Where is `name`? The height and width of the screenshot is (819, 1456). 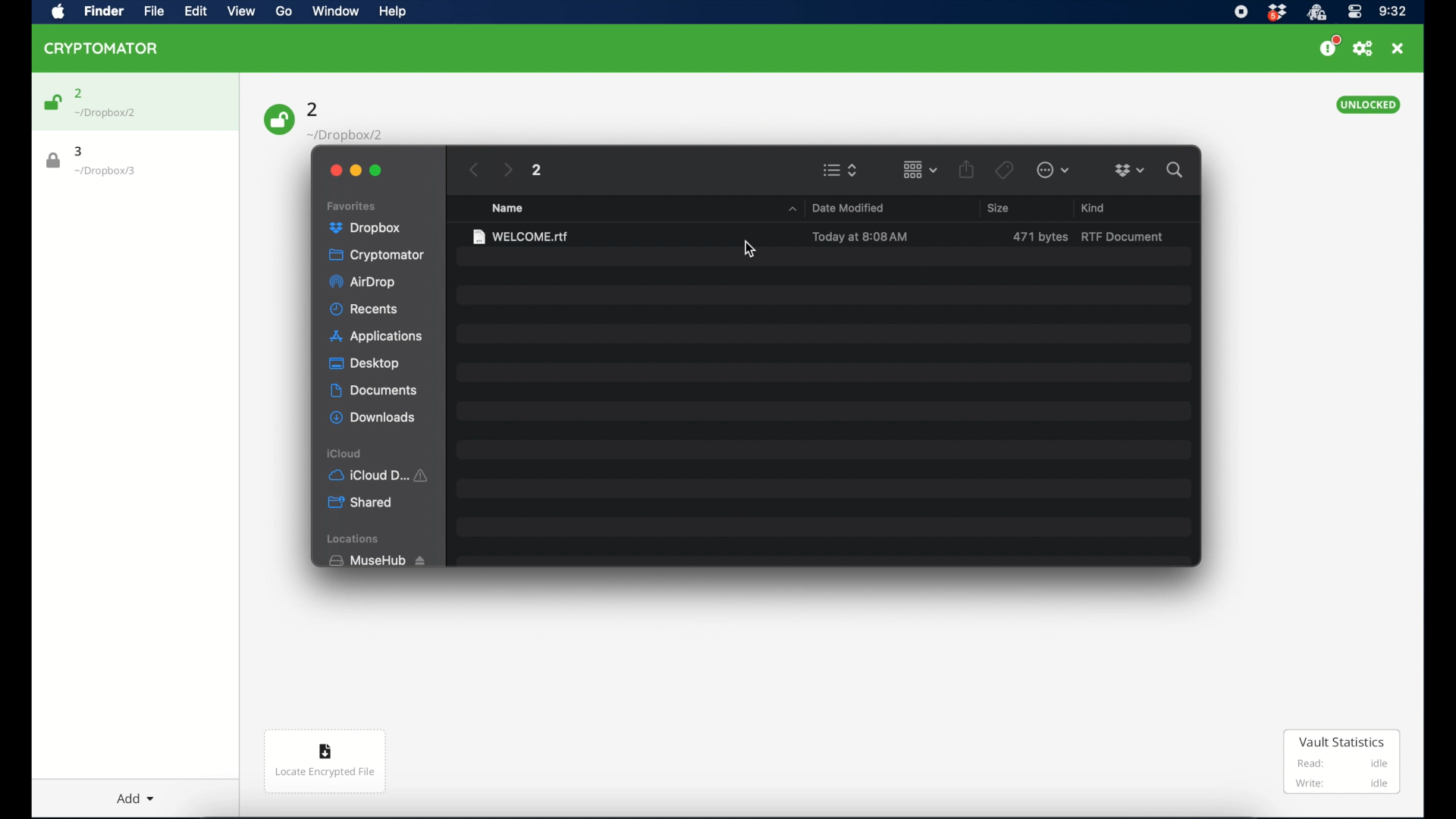 name is located at coordinates (509, 209).